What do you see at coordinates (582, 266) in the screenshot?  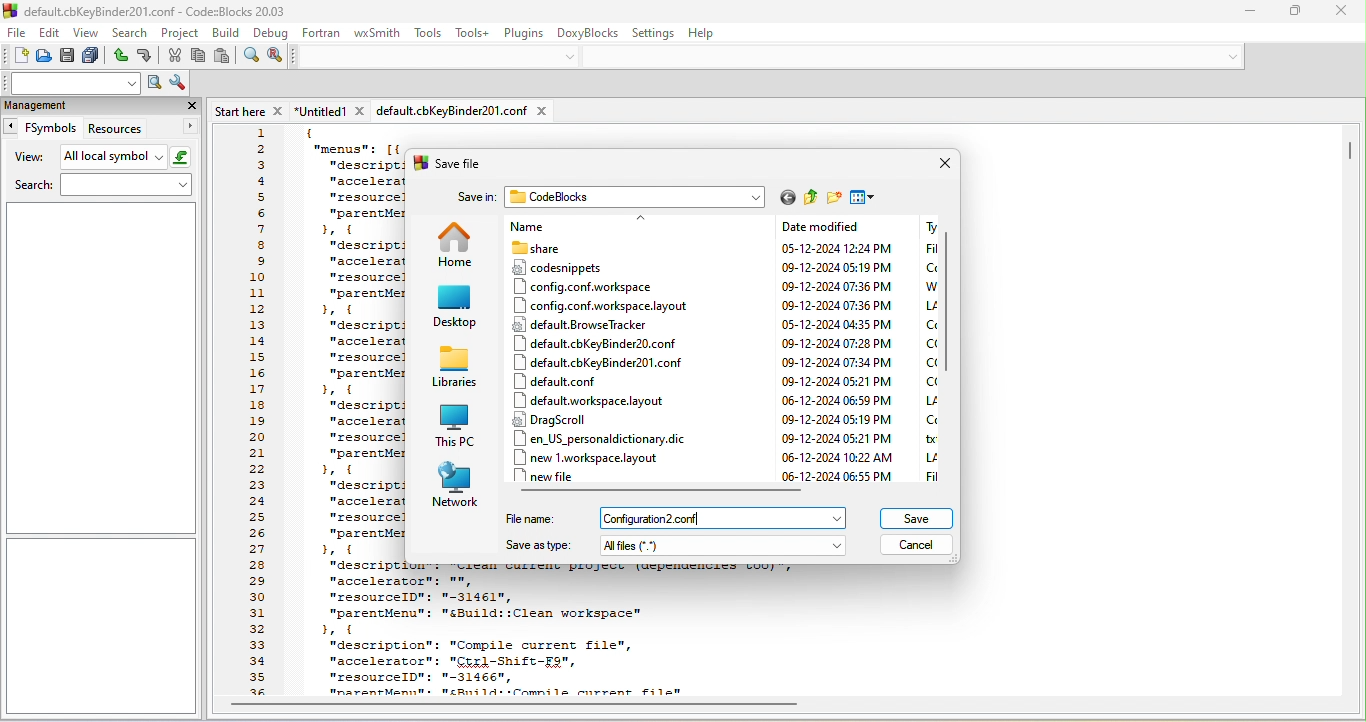 I see `codesnippets` at bounding box center [582, 266].